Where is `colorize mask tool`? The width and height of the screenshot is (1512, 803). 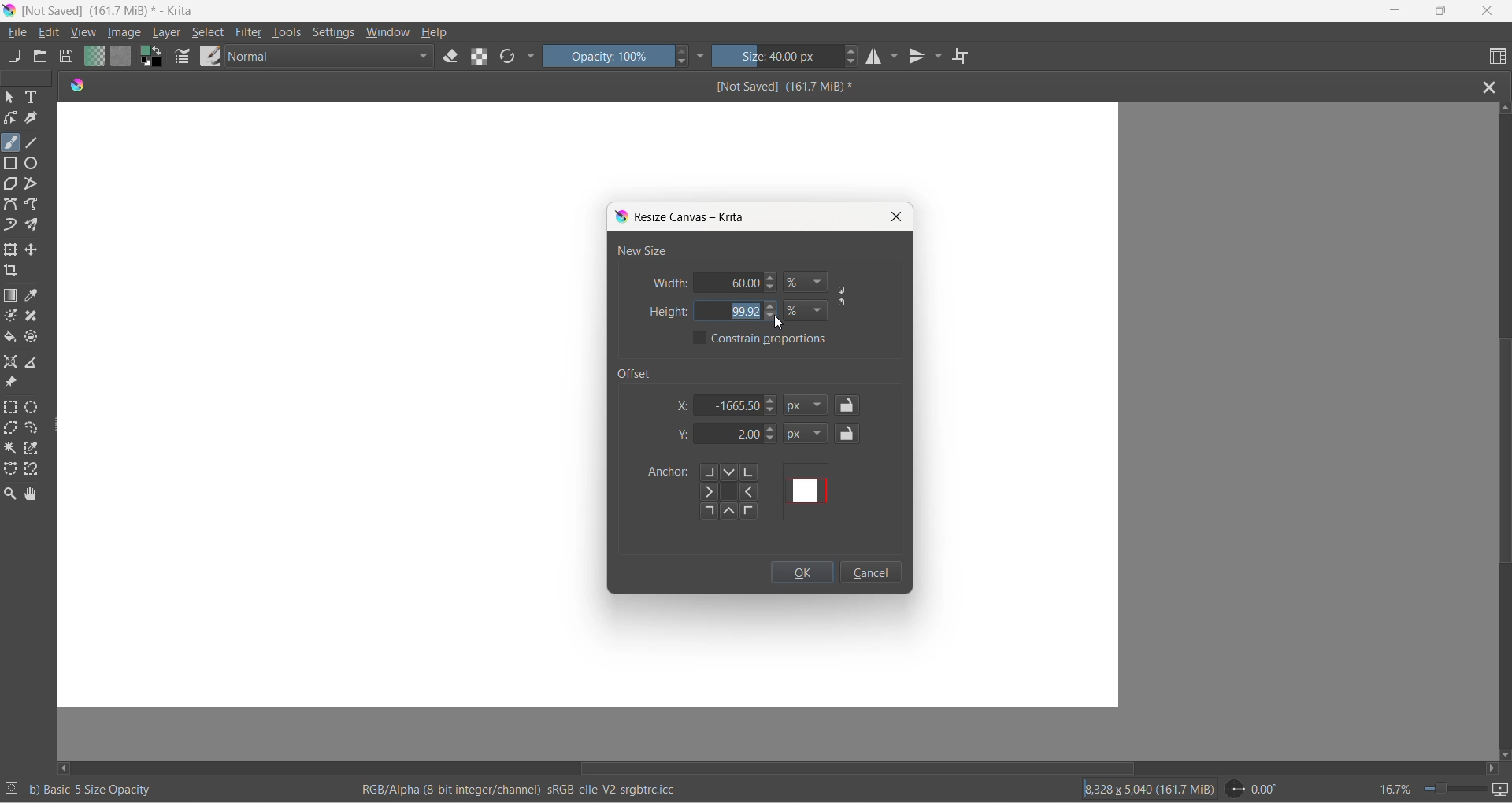 colorize mask tool is located at coordinates (12, 316).